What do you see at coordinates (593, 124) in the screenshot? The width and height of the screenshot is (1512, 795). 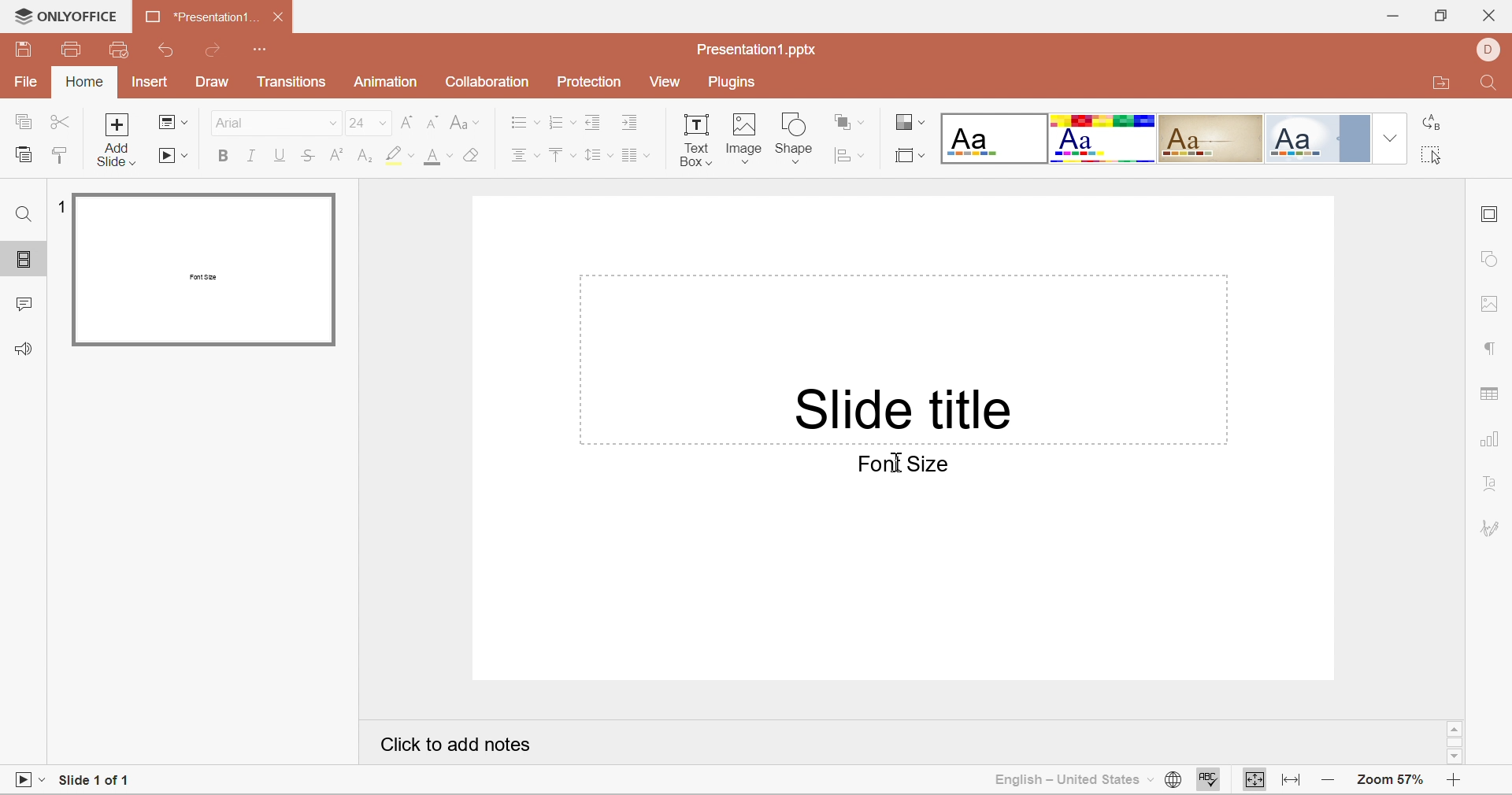 I see `Decrease indent` at bounding box center [593, 124].